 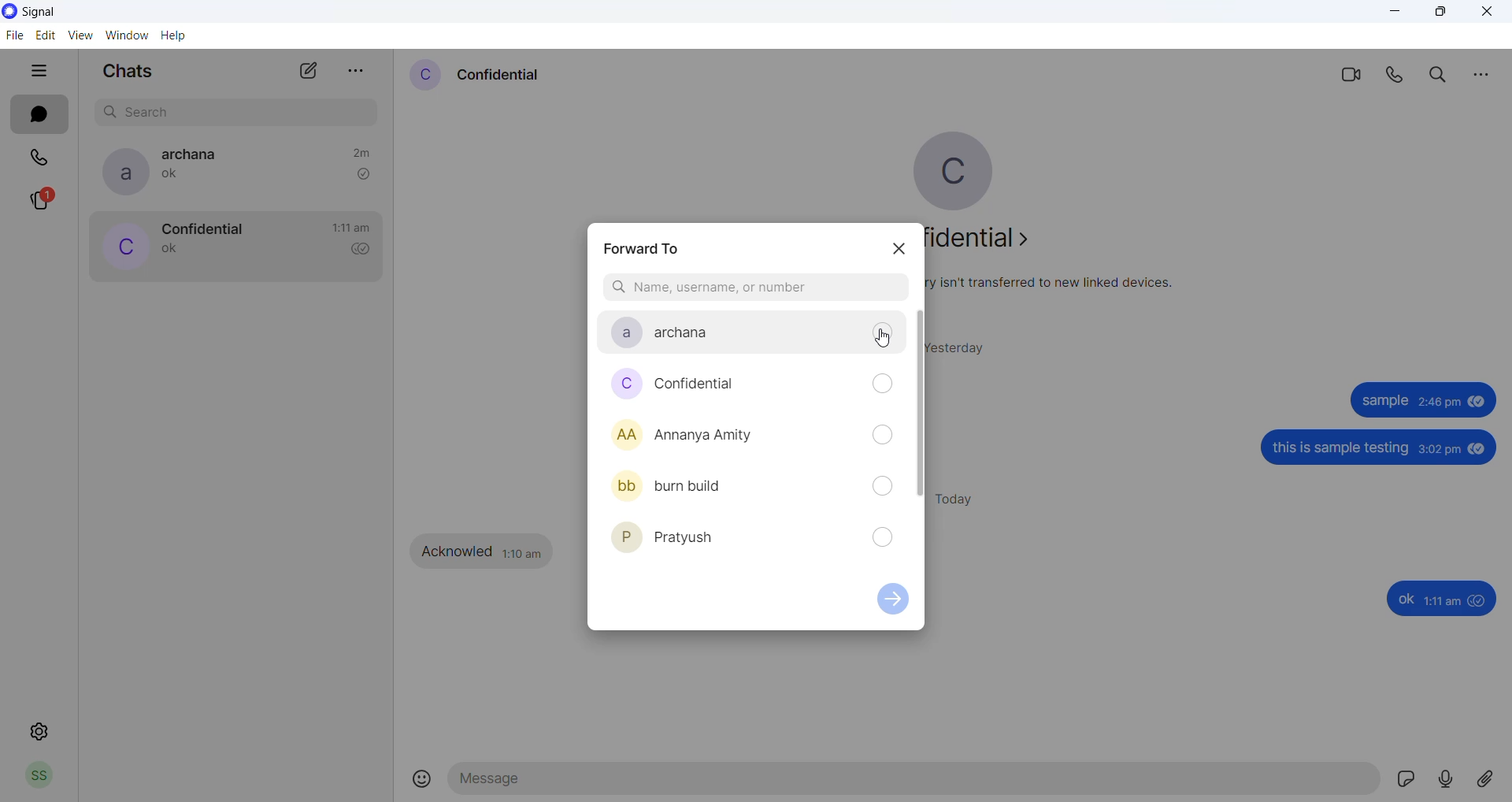 What do you see at coordinates (365, 251) in the screenshot?
I see `read recipient` at bounding box center [365, 251].